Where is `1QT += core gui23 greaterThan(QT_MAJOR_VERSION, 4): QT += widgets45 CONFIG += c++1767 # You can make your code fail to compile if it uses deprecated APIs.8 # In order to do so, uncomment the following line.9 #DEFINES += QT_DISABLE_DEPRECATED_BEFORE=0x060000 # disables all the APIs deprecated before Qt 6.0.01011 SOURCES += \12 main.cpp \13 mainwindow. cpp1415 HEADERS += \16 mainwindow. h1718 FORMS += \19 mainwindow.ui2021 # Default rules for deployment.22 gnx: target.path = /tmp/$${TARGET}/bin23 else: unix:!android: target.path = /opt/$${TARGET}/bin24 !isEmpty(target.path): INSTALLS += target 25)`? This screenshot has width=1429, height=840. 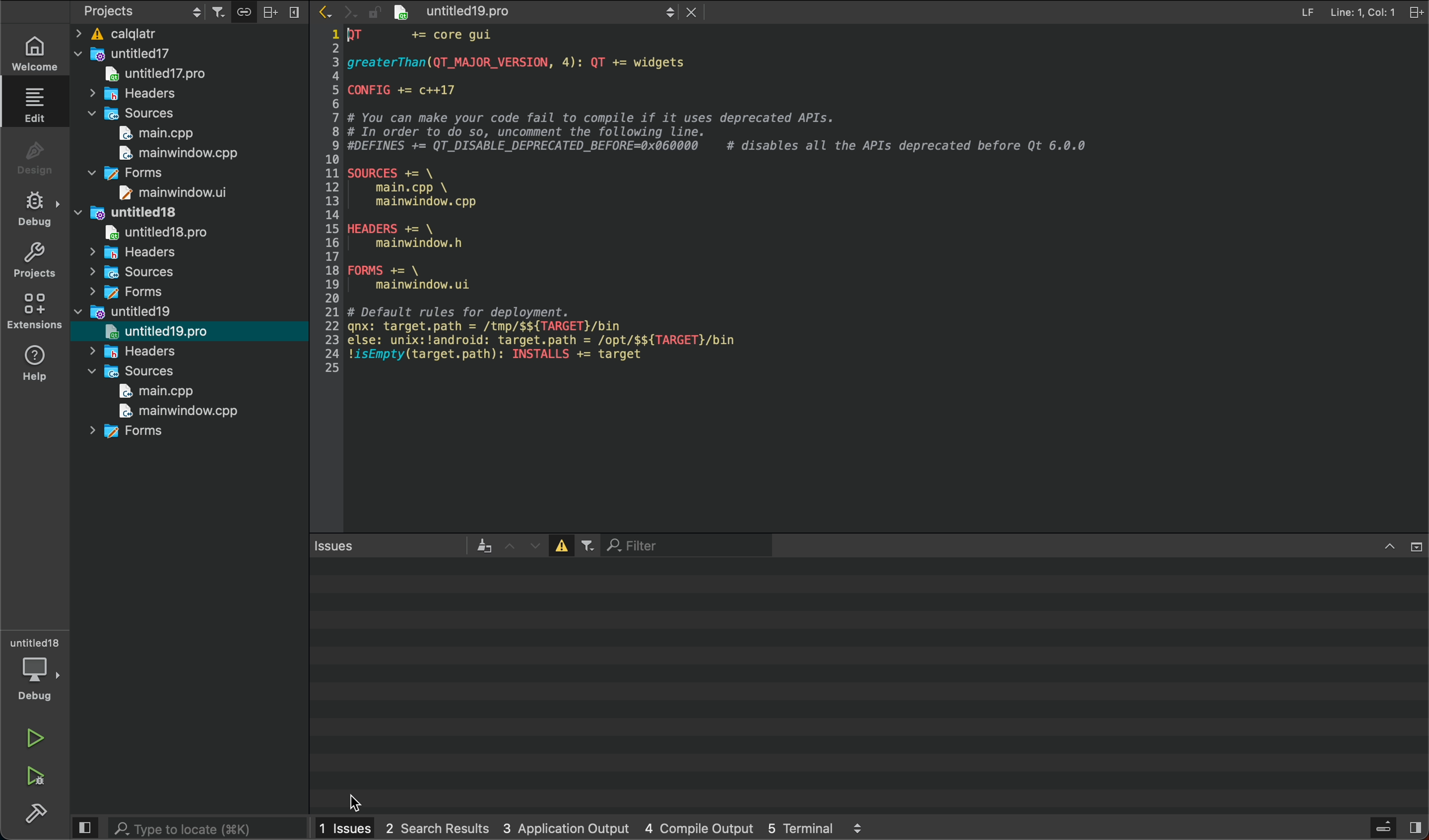
1QT += core gui23 greaterThan(QT_MAJOR_VERSION, 4): QT += widgets45 CONFIG += c++1767 # You can make your code fail to compile if it uses deprecated APIs.8 # In order to do so, uncomment the following line.9 #DEFINES += QT_DISABLE_DEPRECATED_BEFORE=0x060000 # disables all the APIs deprecated before Qt 6.0.01011 SOURCES += \12 main.cpp \13 mainwindow. cpp1415 HEADERS += \16 mainwindow. h1718 FORMS += \19 mainwindow.ui2021 # Default rules for deployment.22 gnx: target.path = /tmp/$${TARGET}/bin23 else: unix:!android: target.path = /opt/$${TARGET}/bin24 !isEmpty(target.path): INSTALLS += target 25) is located at coordinates (708, 209).